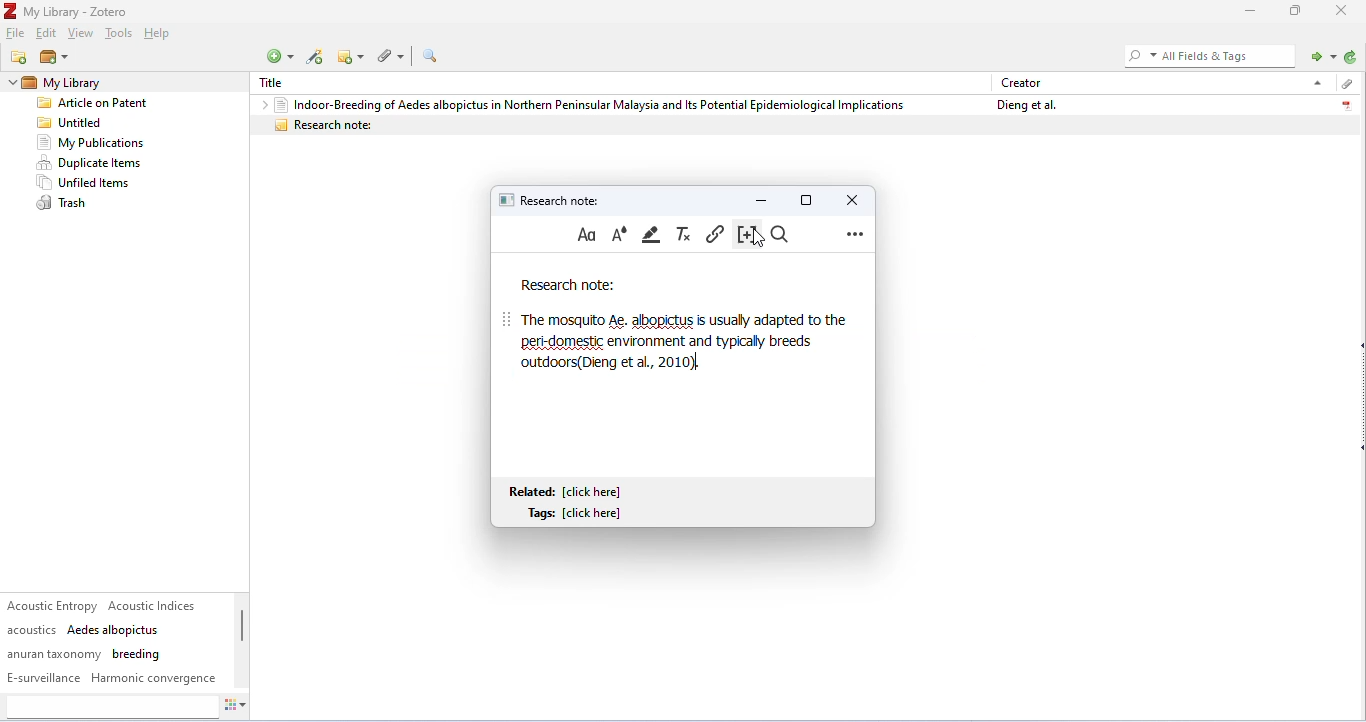  I want to click on help, so click(160, 35).